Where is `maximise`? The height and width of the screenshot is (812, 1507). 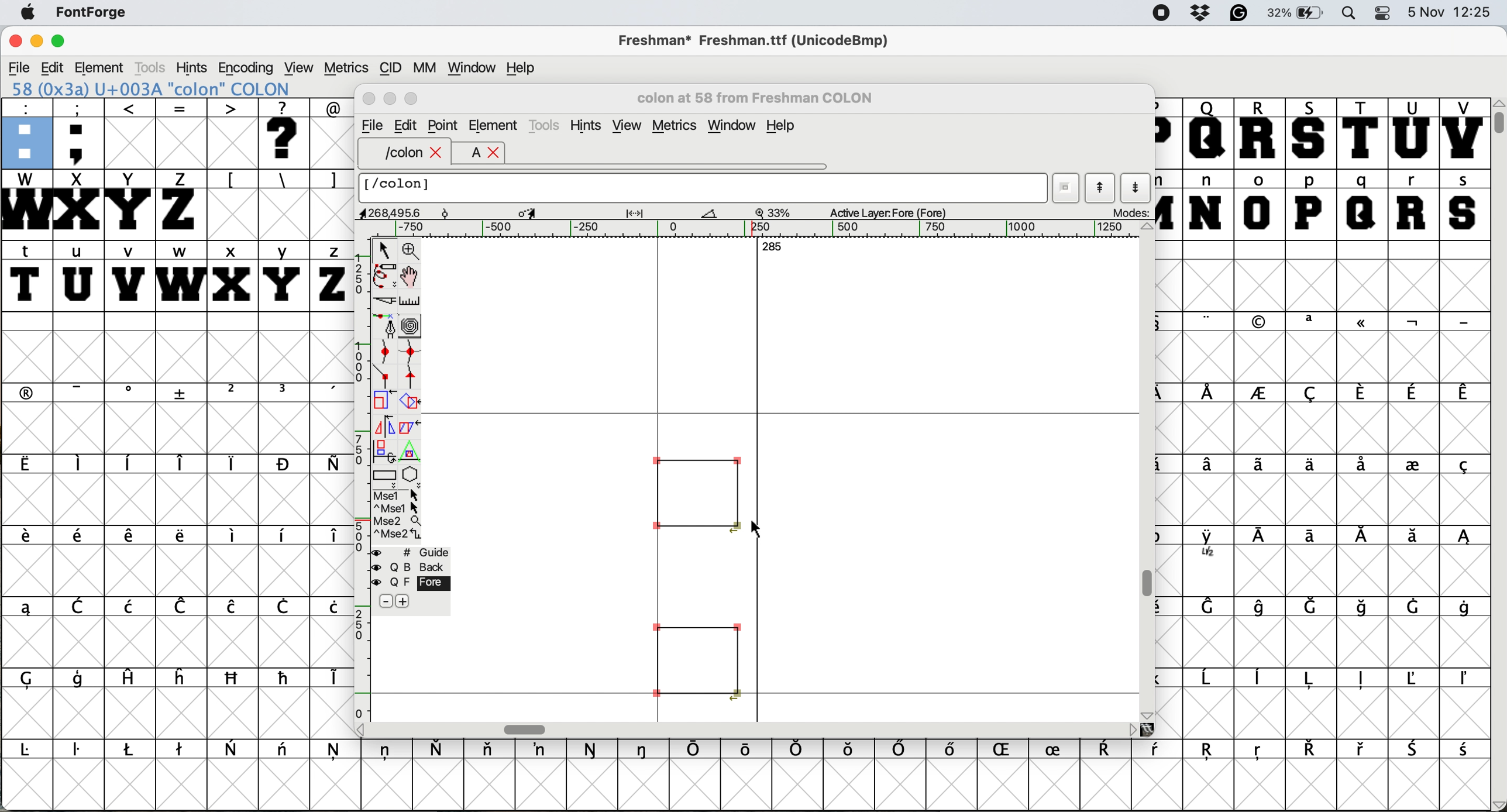 maximise is located at coordinates (61, 40).